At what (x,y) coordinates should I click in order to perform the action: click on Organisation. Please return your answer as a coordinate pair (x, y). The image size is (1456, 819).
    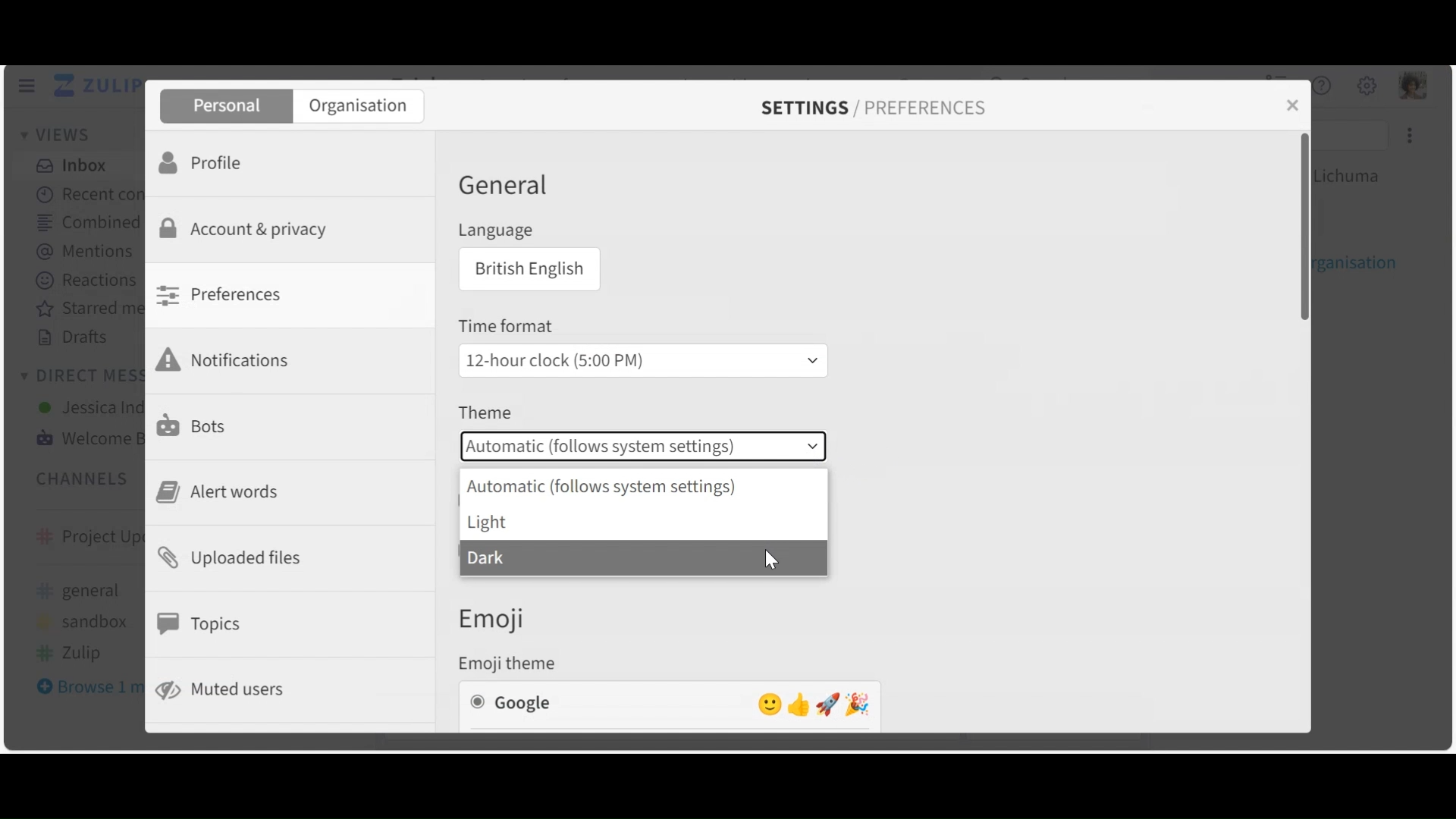
    Looking at the image, I should click on (361, 107).